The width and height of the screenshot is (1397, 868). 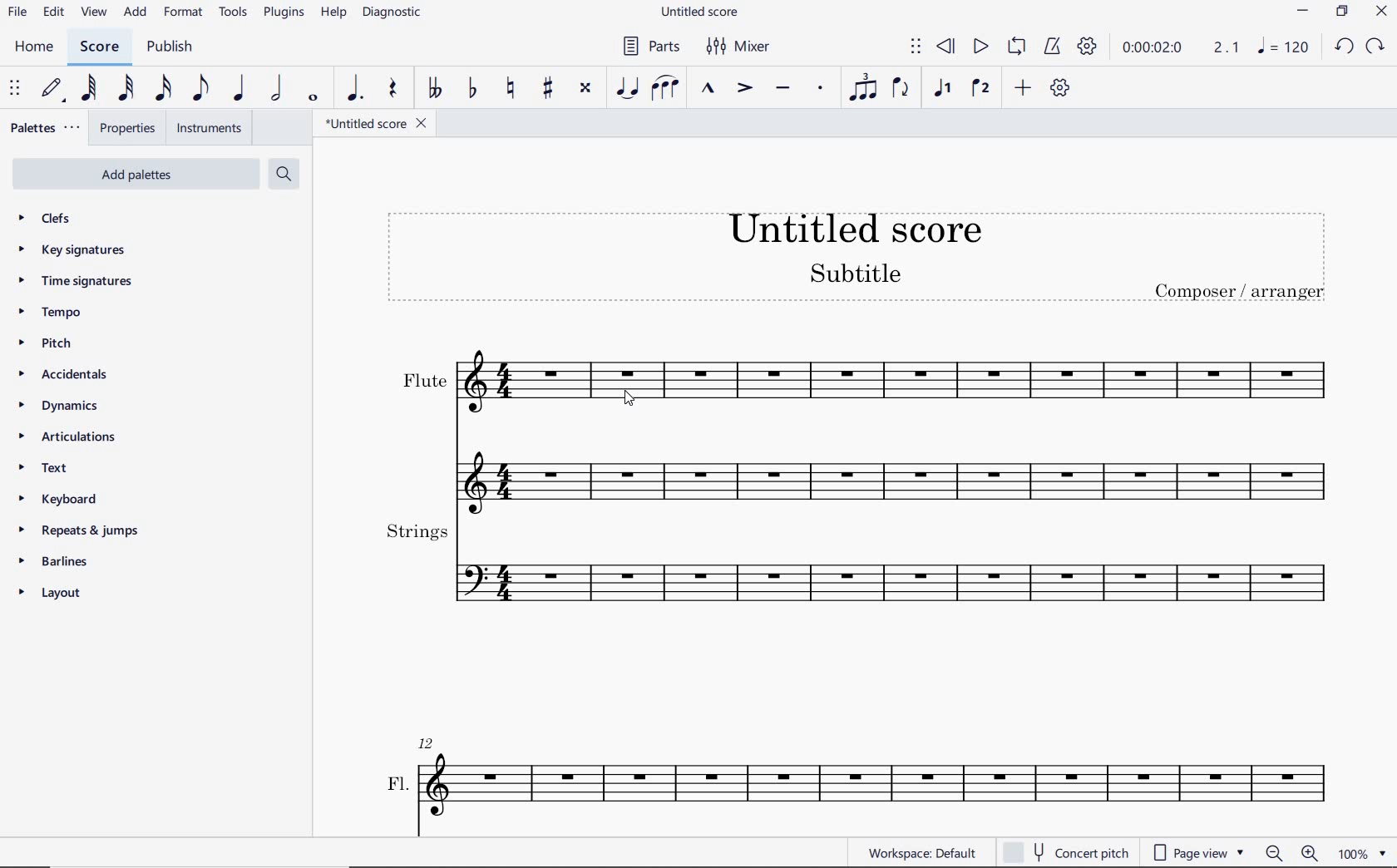 What do you see at coordinates (1088, 49) in the screenshot?
I see `PLAYBACK SETTINGS` at bounding box center [1088, 49].